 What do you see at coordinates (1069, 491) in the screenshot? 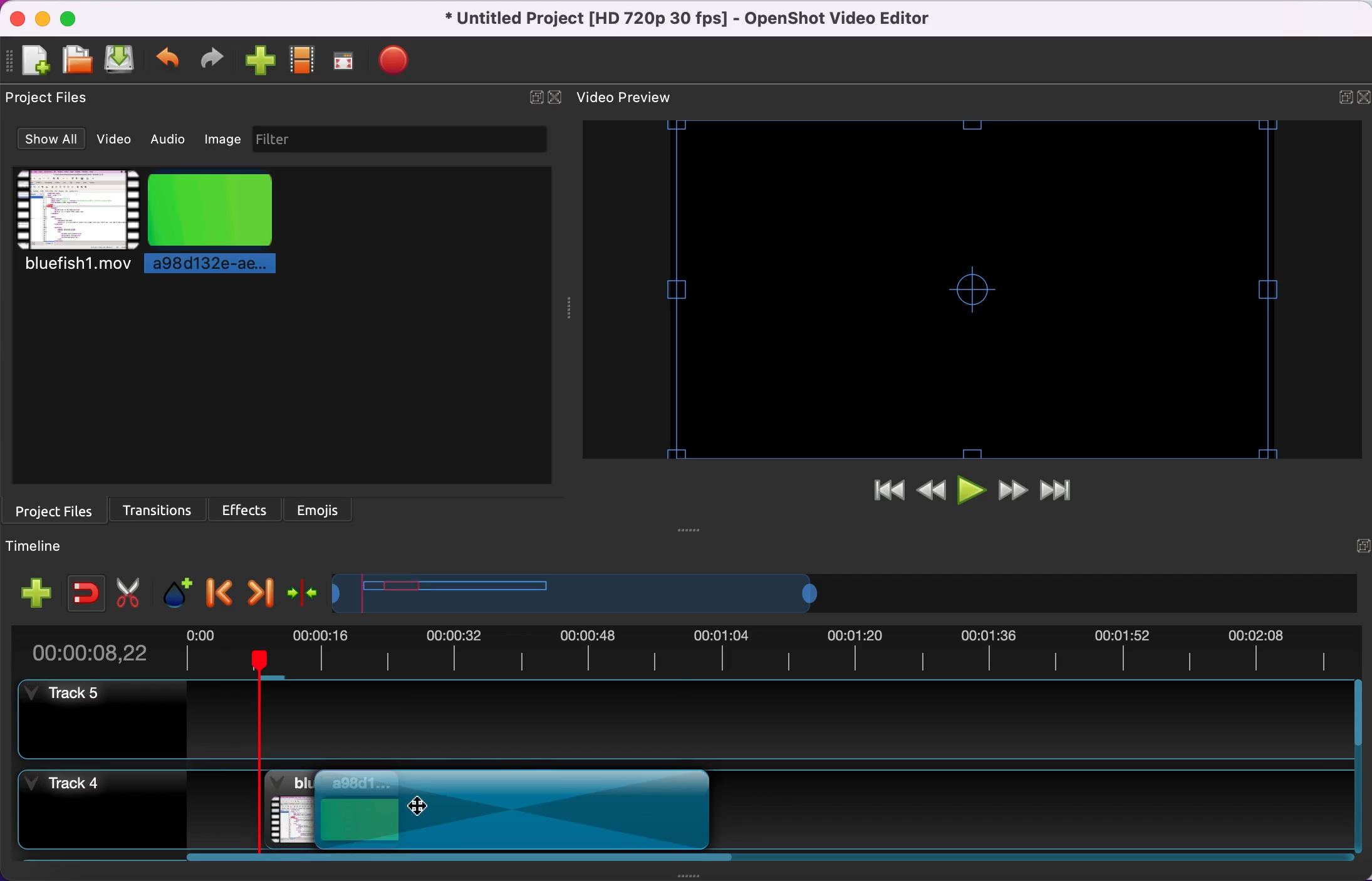
I see `jump to end` at bounding box center [1069, 491].